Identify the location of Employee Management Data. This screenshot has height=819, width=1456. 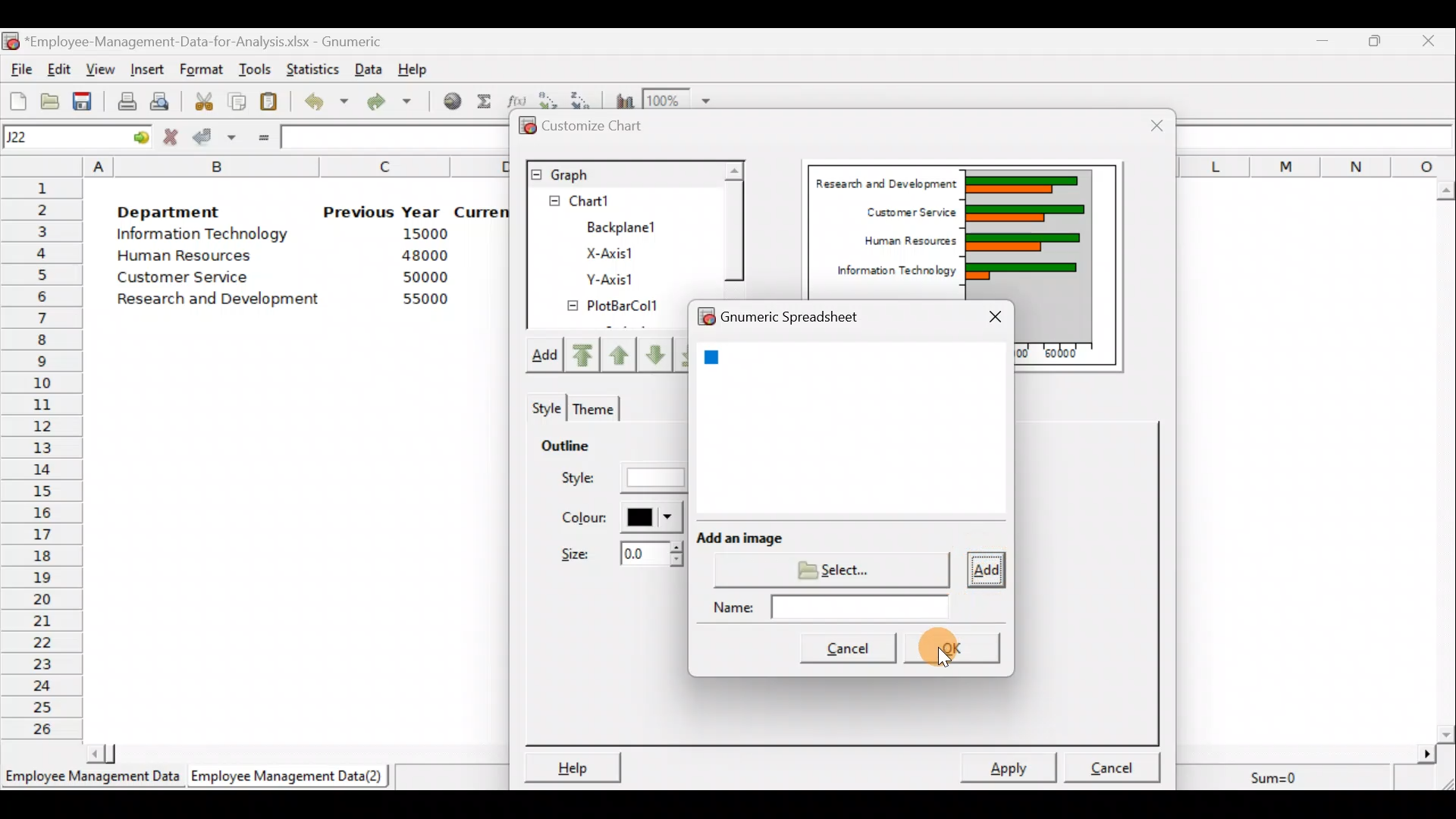
(90, 778).